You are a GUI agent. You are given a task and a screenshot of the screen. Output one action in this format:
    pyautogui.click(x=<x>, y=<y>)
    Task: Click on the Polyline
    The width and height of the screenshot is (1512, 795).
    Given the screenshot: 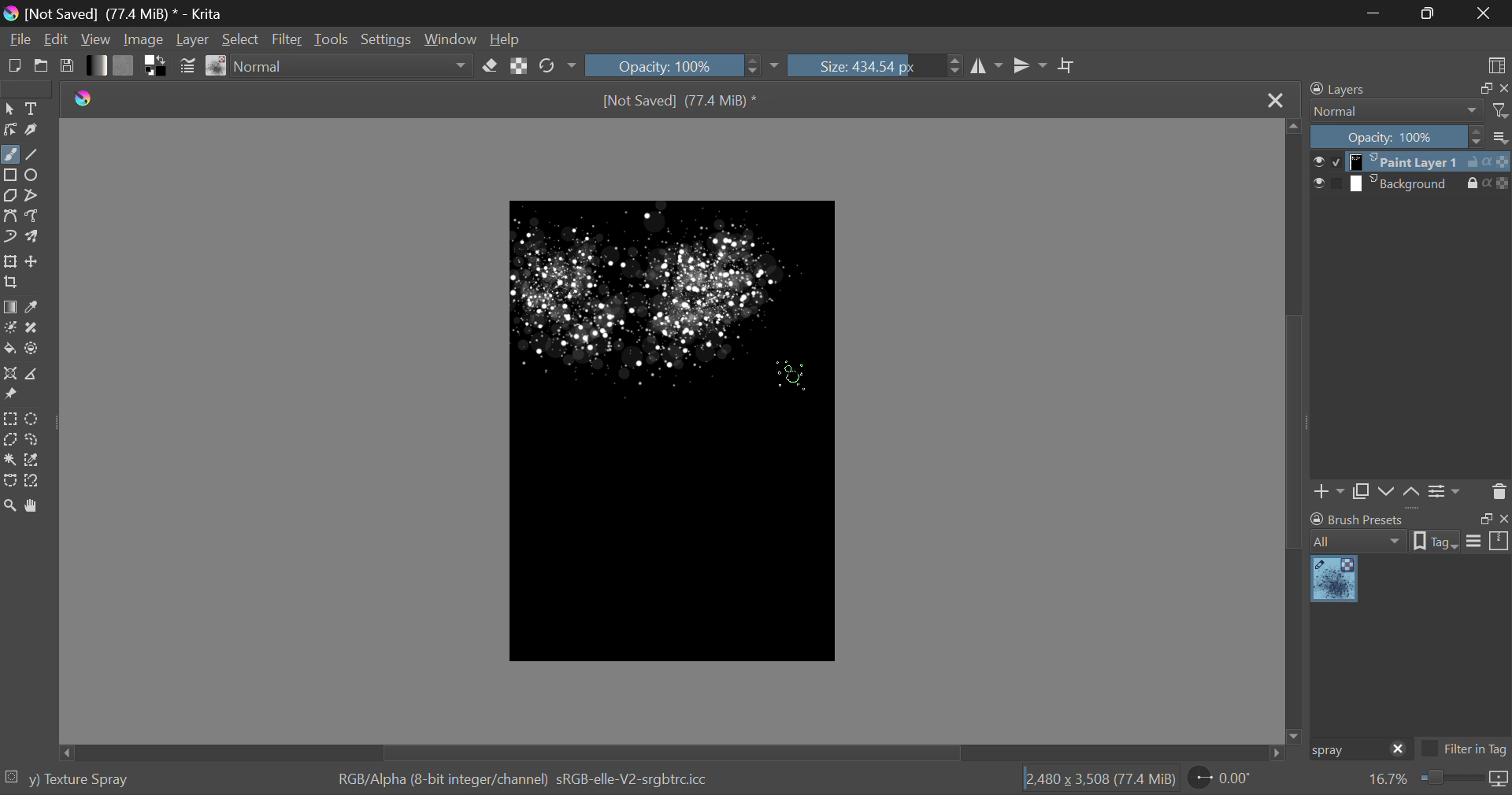 What is the action you would take?
    pyautogui.click(x=33, y=196)
    